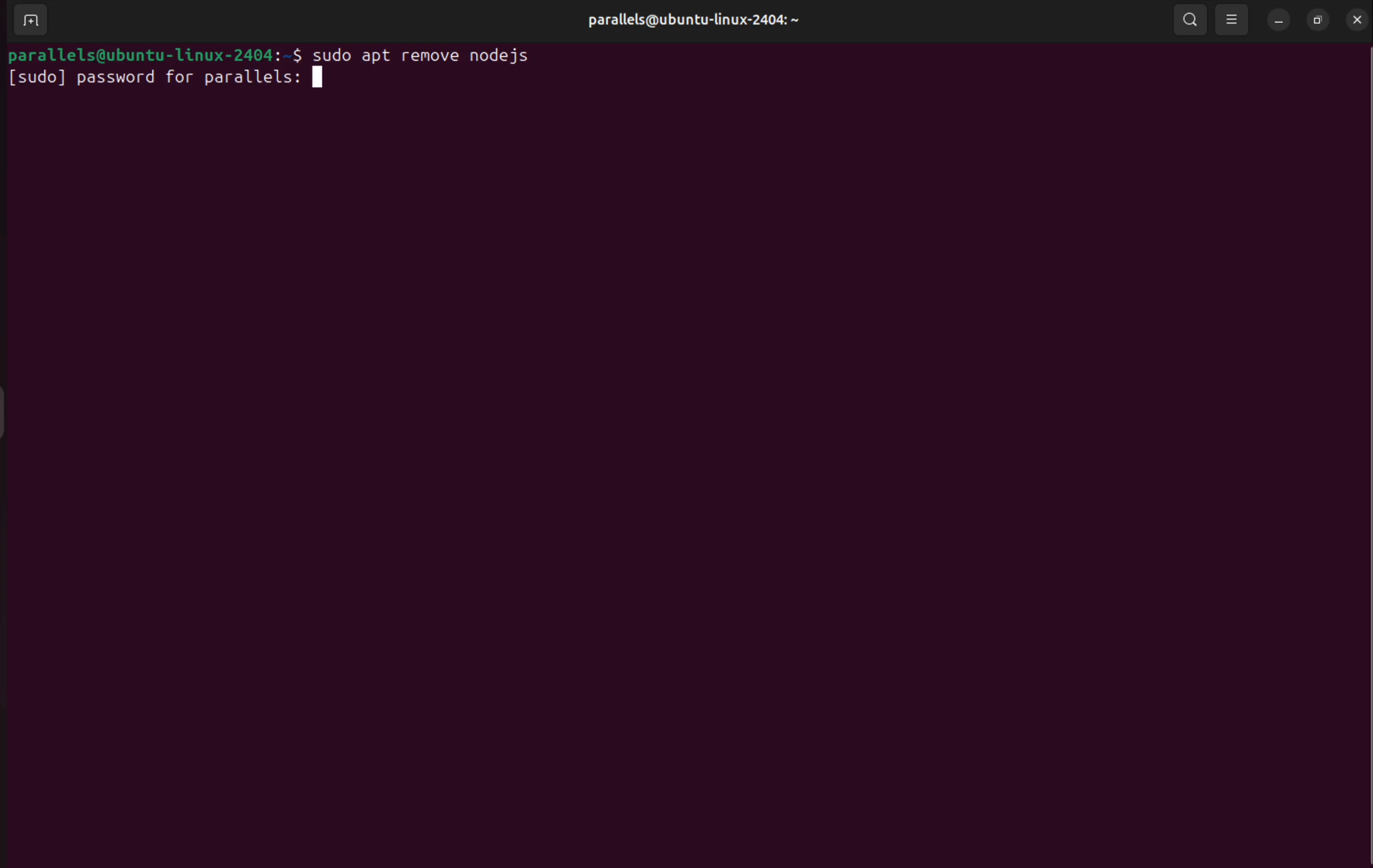 The height and width of the screenshot is (868, 1373). I want to click on add terminal, so click(30, 21).